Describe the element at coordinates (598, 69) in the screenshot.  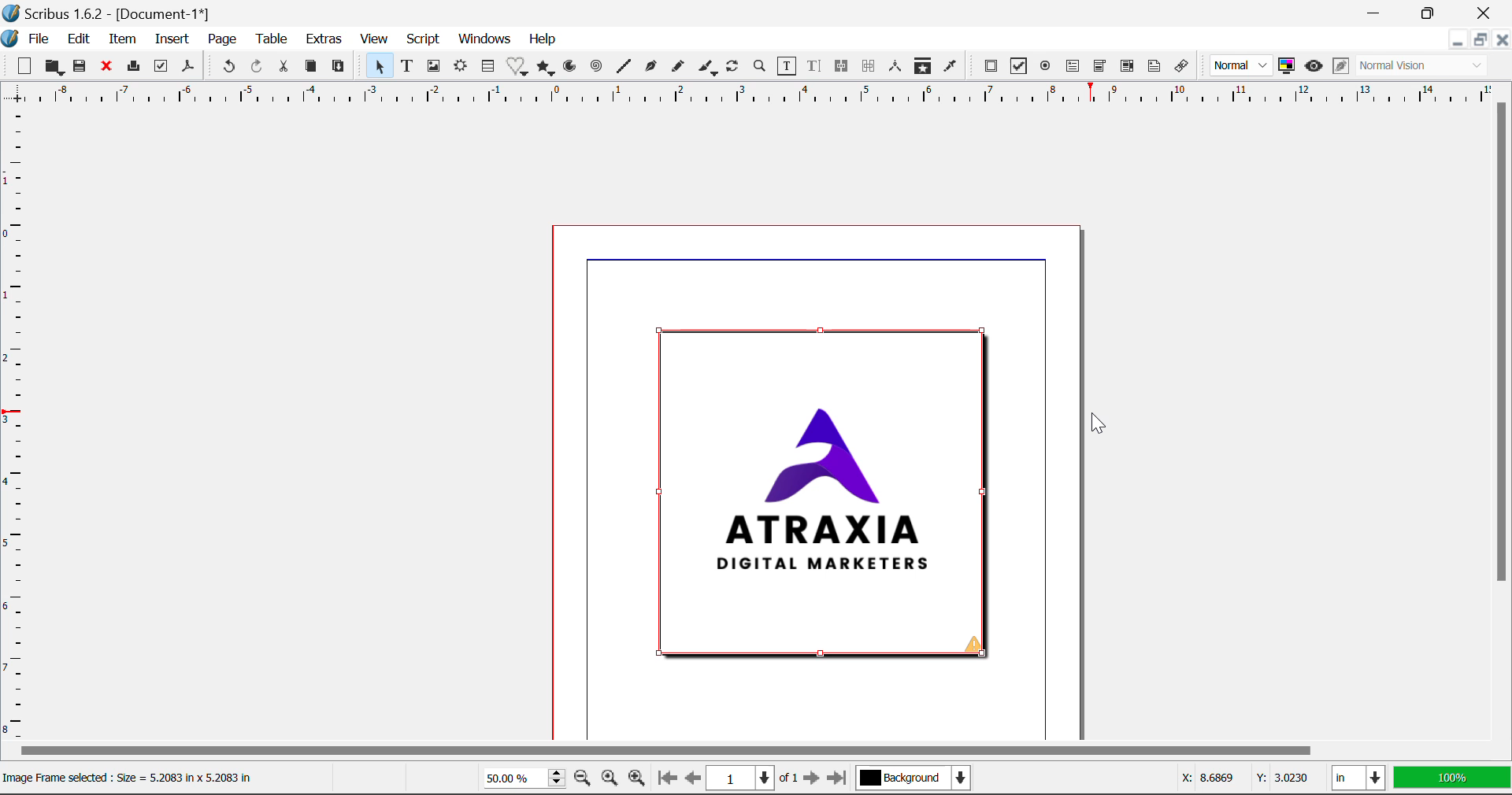
I see `Spiral` at that location.